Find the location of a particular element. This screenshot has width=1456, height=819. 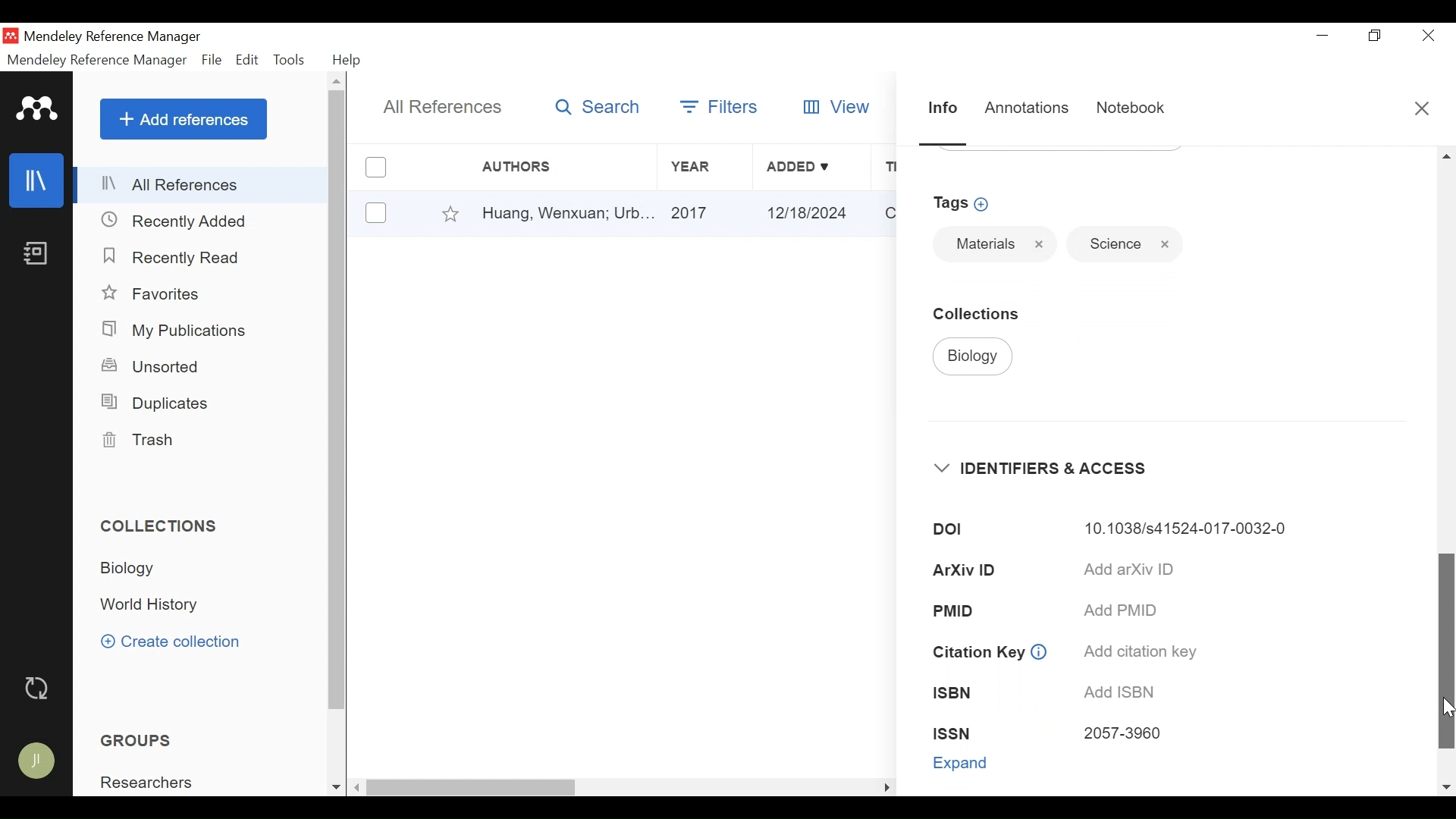

Mendeley Reference Manager is located at coordinates (97, 61).